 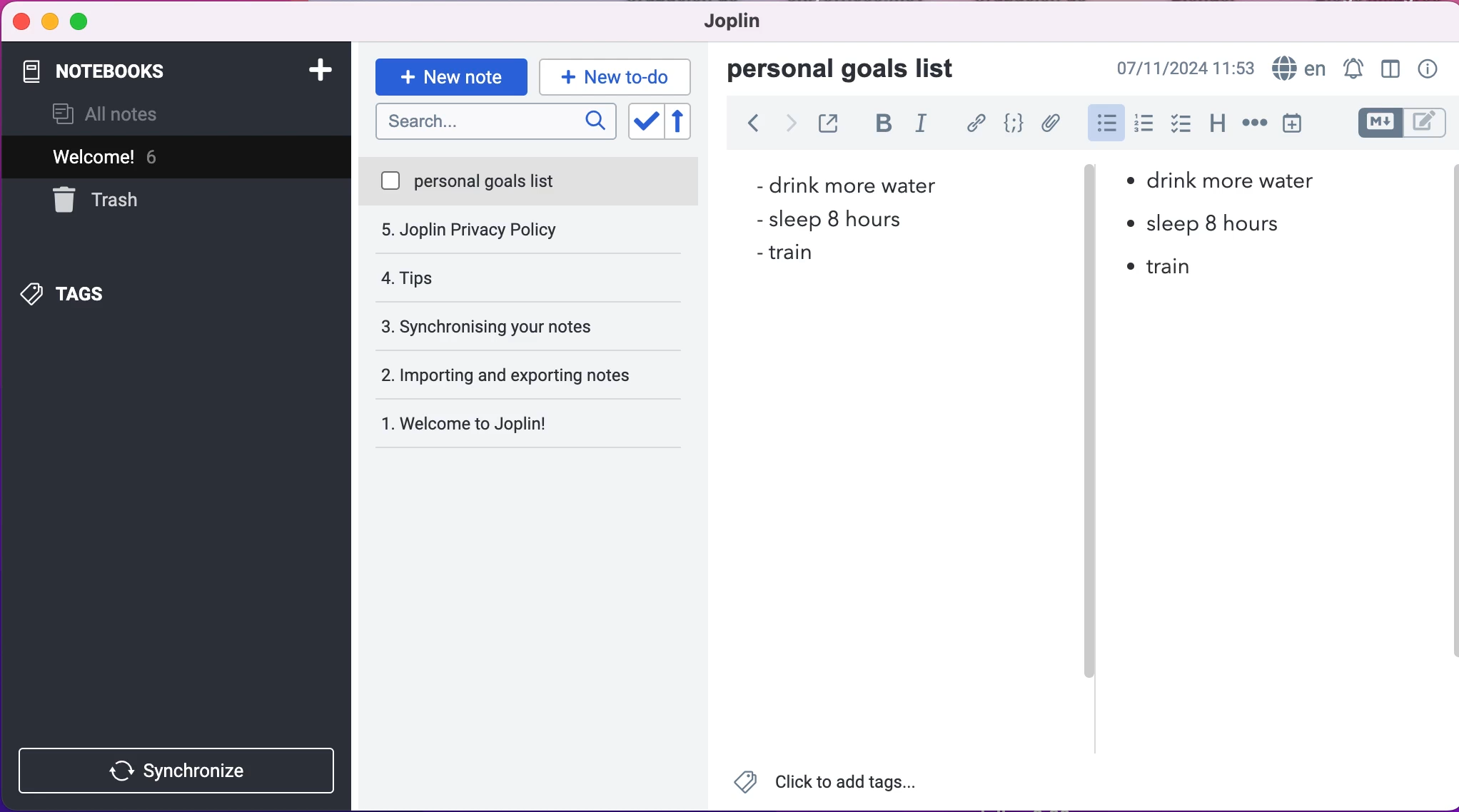 What do you see at coordinates (851, 70) in the screenshot?
I see `personal goals list` at bounding box center [851, 70].